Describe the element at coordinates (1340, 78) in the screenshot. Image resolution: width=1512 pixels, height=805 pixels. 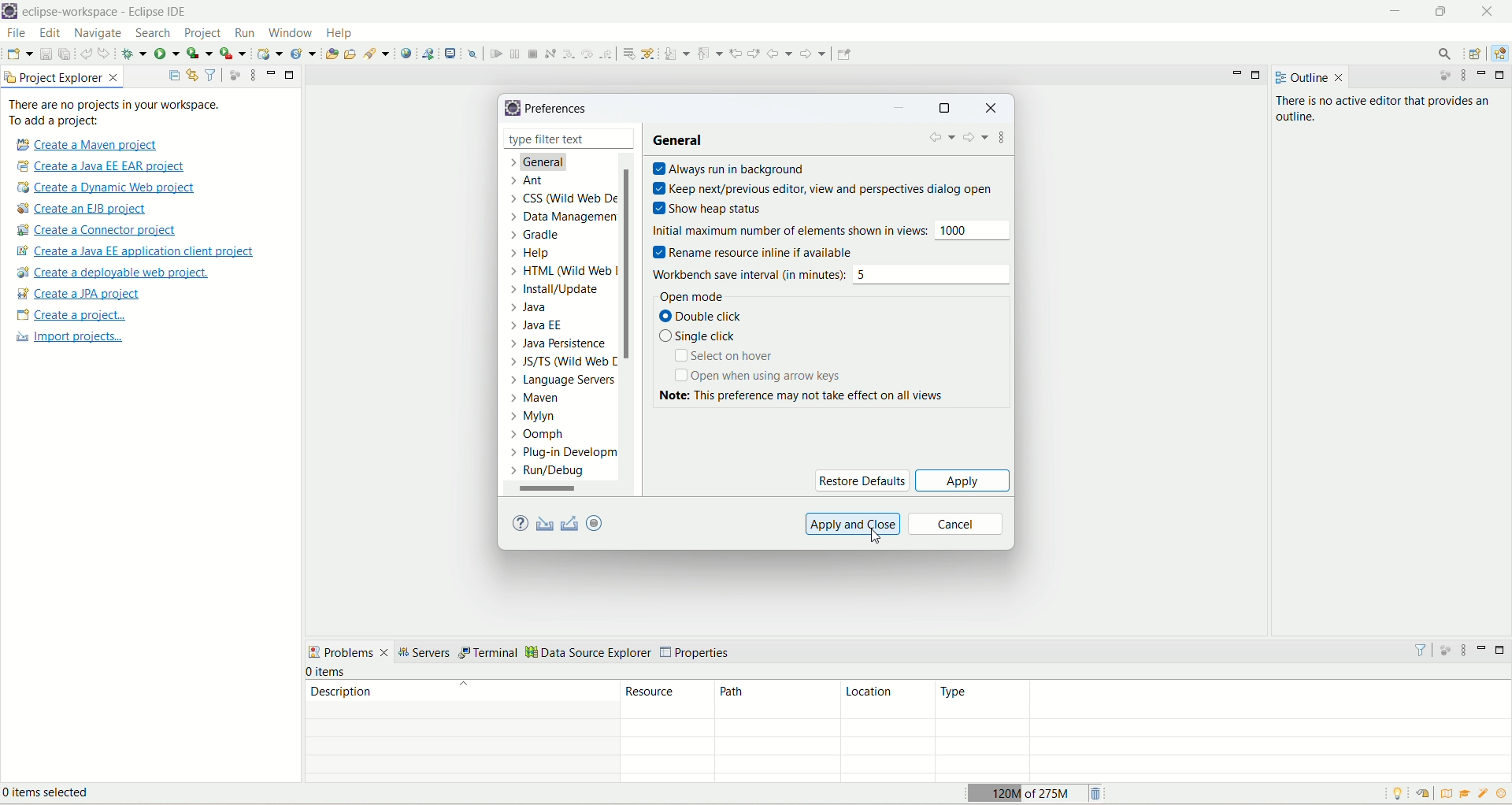
I see `close` at that location.